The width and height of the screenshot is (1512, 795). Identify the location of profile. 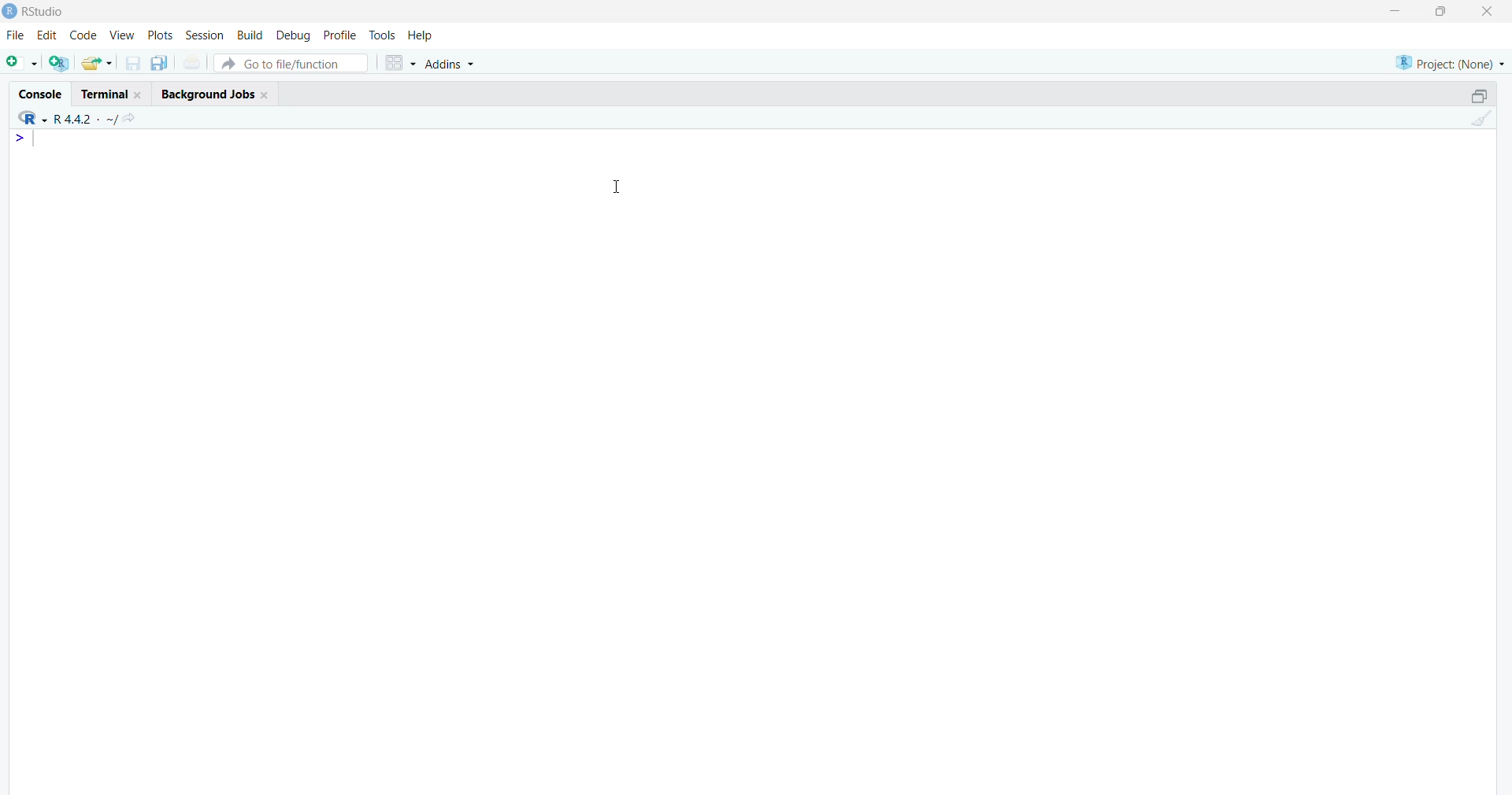
(341, 35).